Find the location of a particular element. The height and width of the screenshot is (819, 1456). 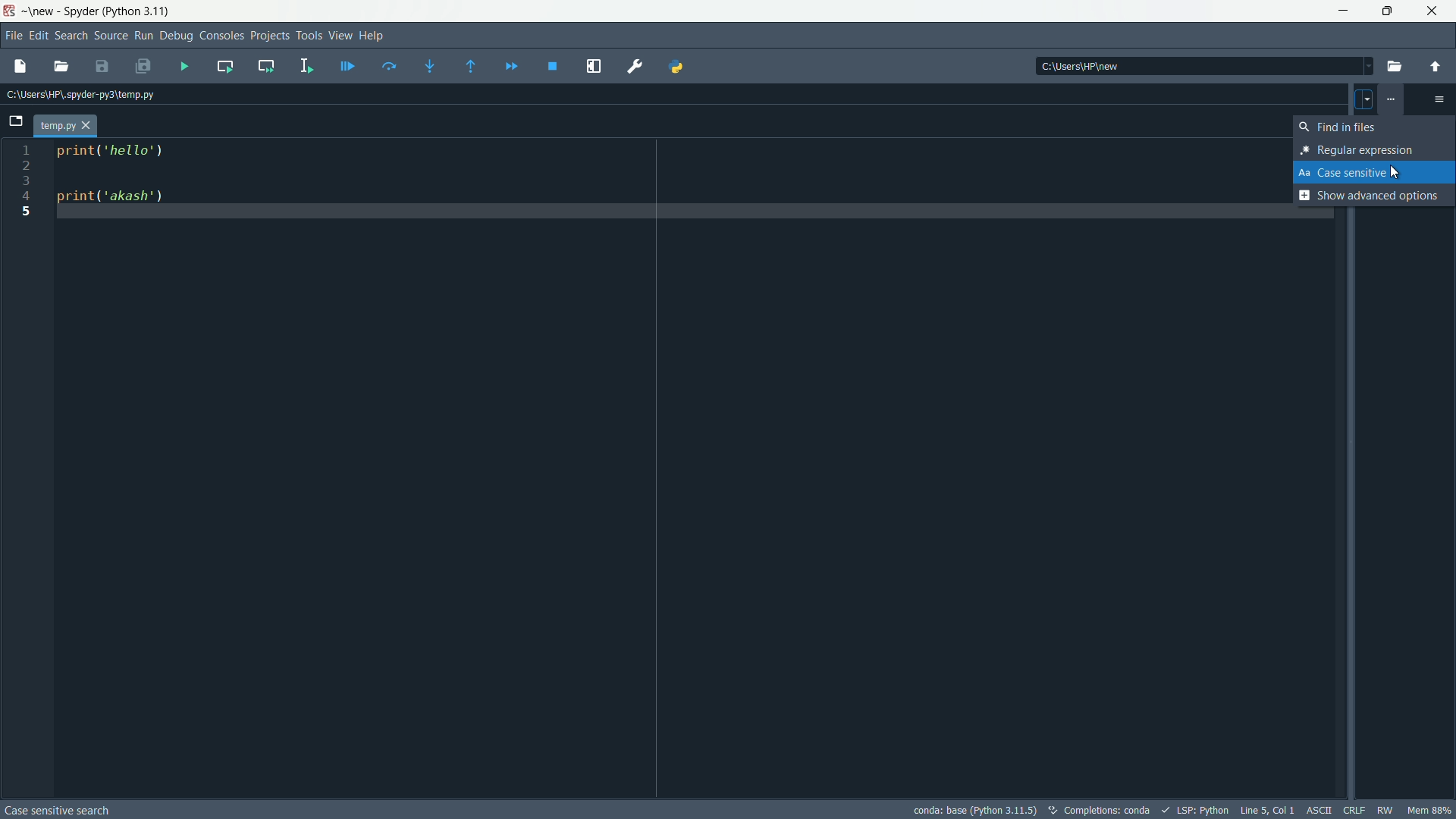

run current line is located at coordinates (390, 66).